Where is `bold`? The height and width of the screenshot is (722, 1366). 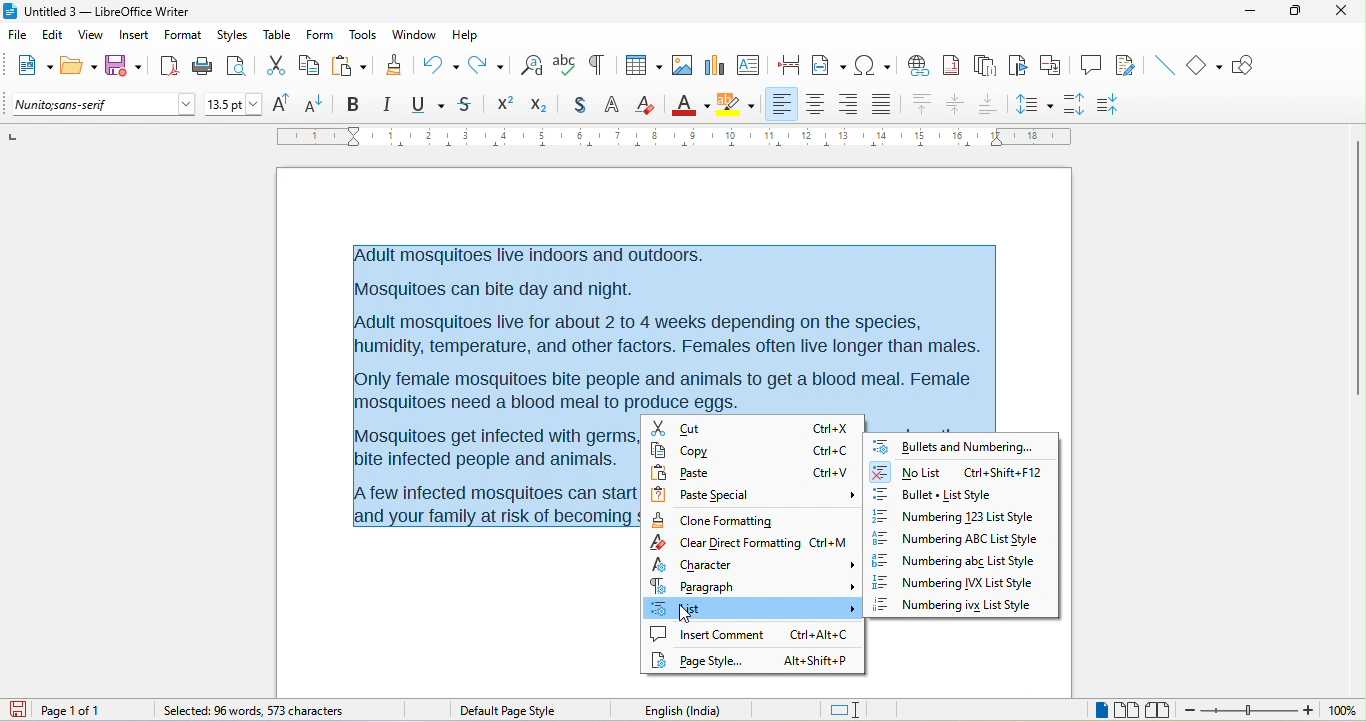 bold is located at coordinates (355, 103).